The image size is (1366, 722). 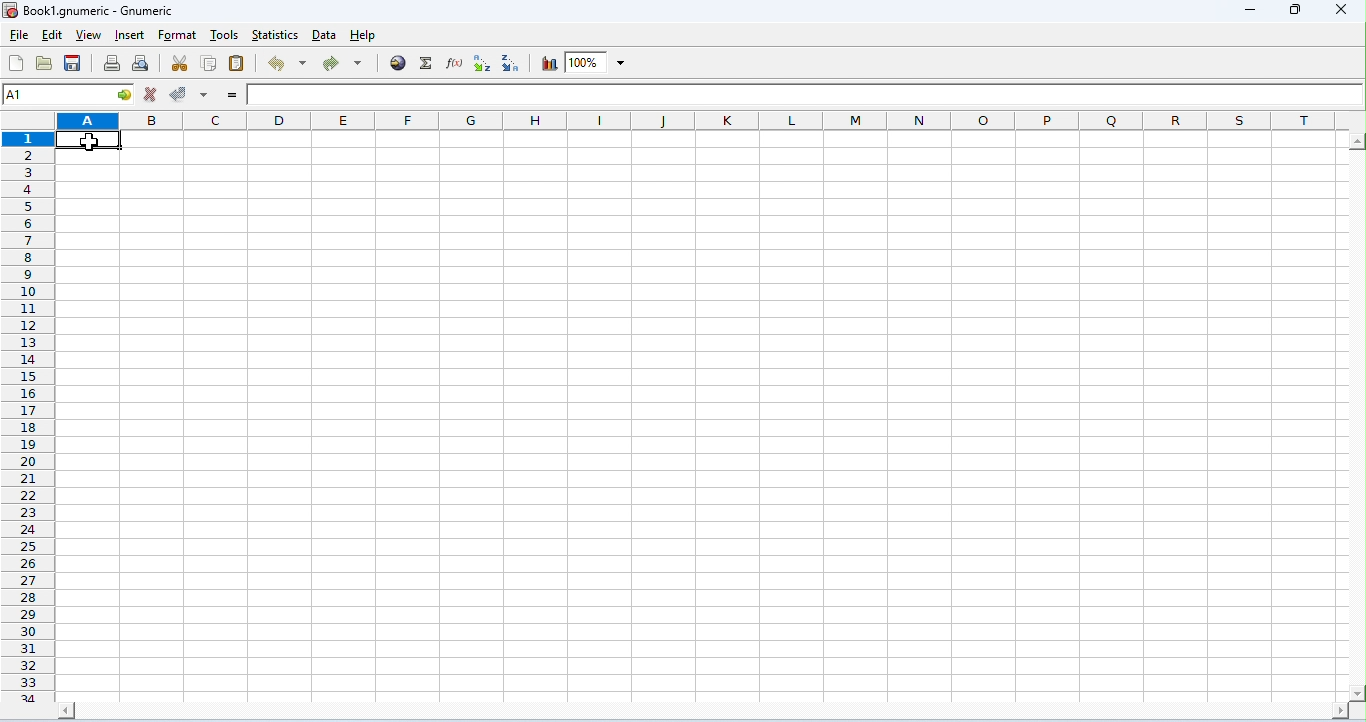 What do you see at coordinates (705, 684) in the screenshot?
I see `space for horizontal scroll bar` at bounding box center [705, 684].